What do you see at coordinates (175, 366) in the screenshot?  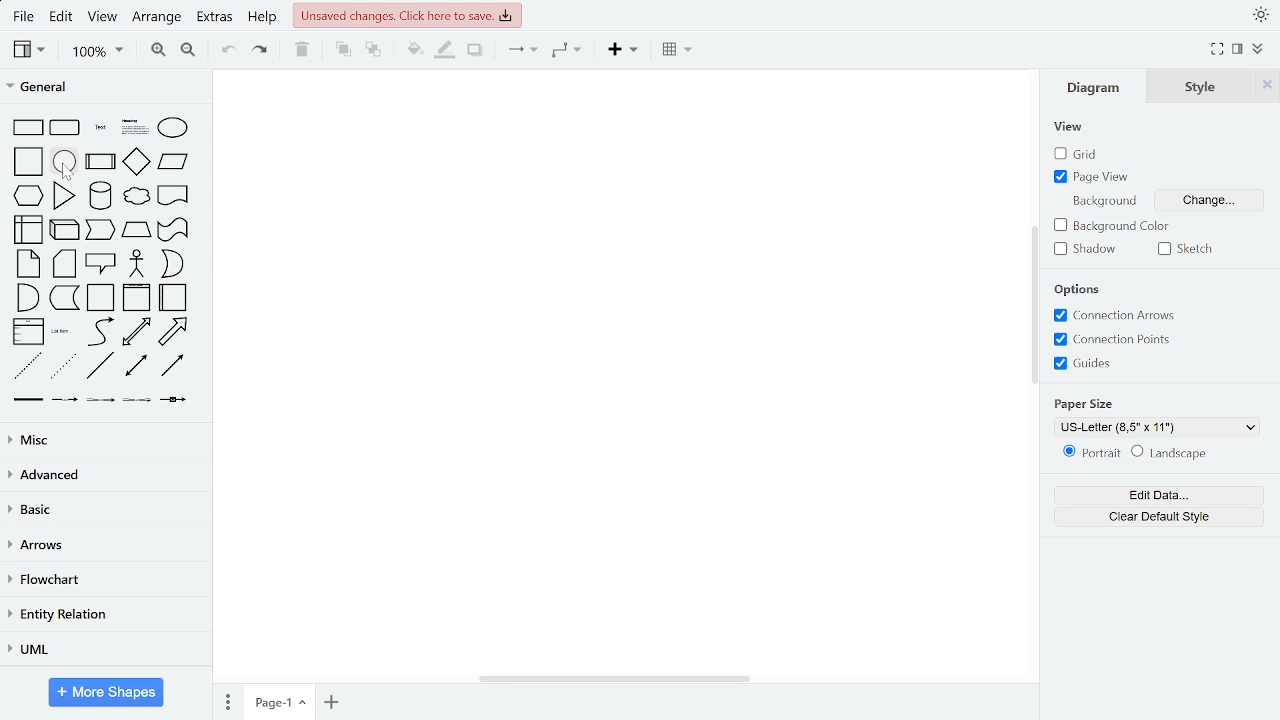 I see `directional connector` at bounding box center [175, 366].